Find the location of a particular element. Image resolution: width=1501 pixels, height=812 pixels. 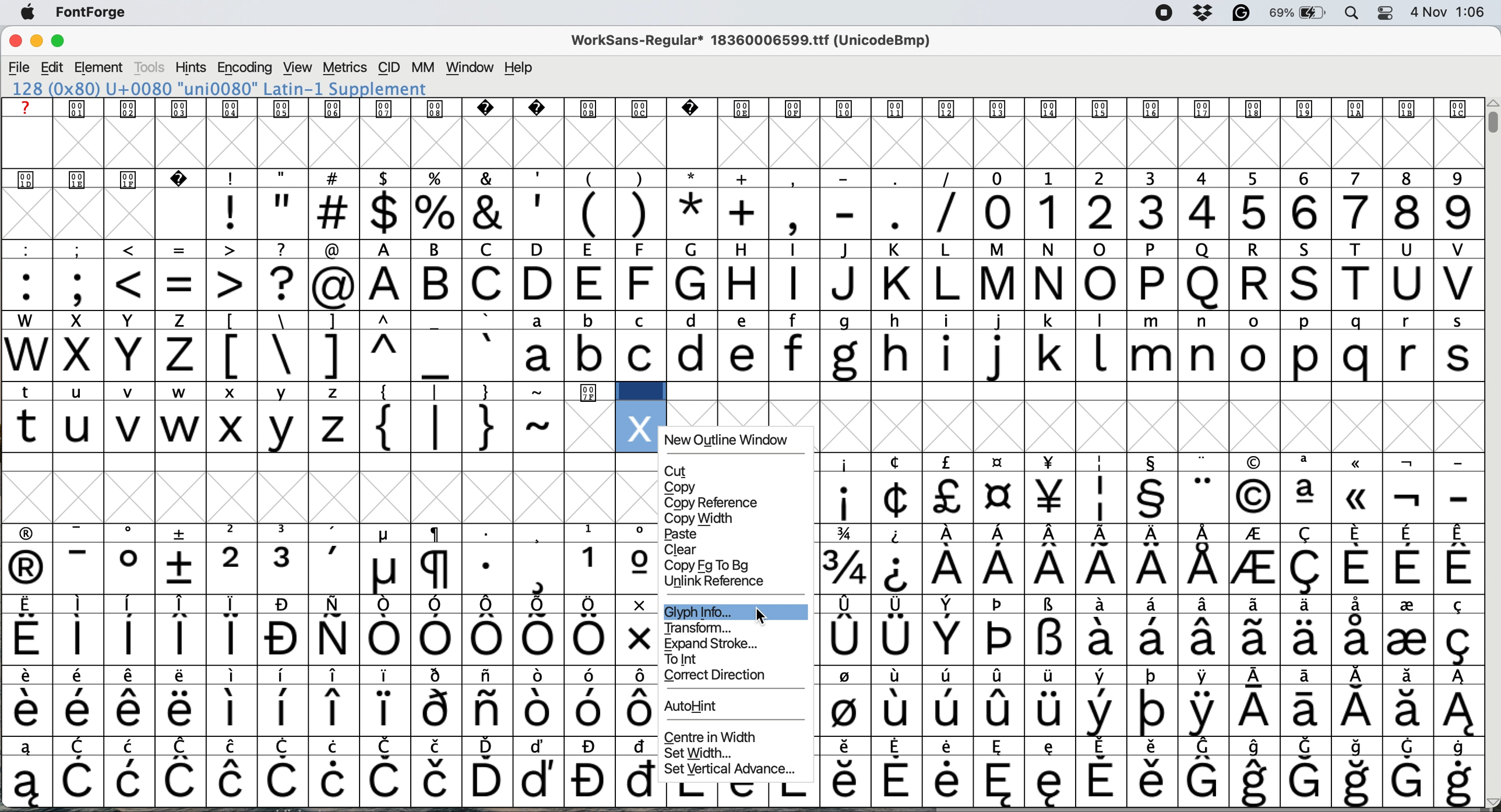

special characters  is located at coordinates (61, 391).